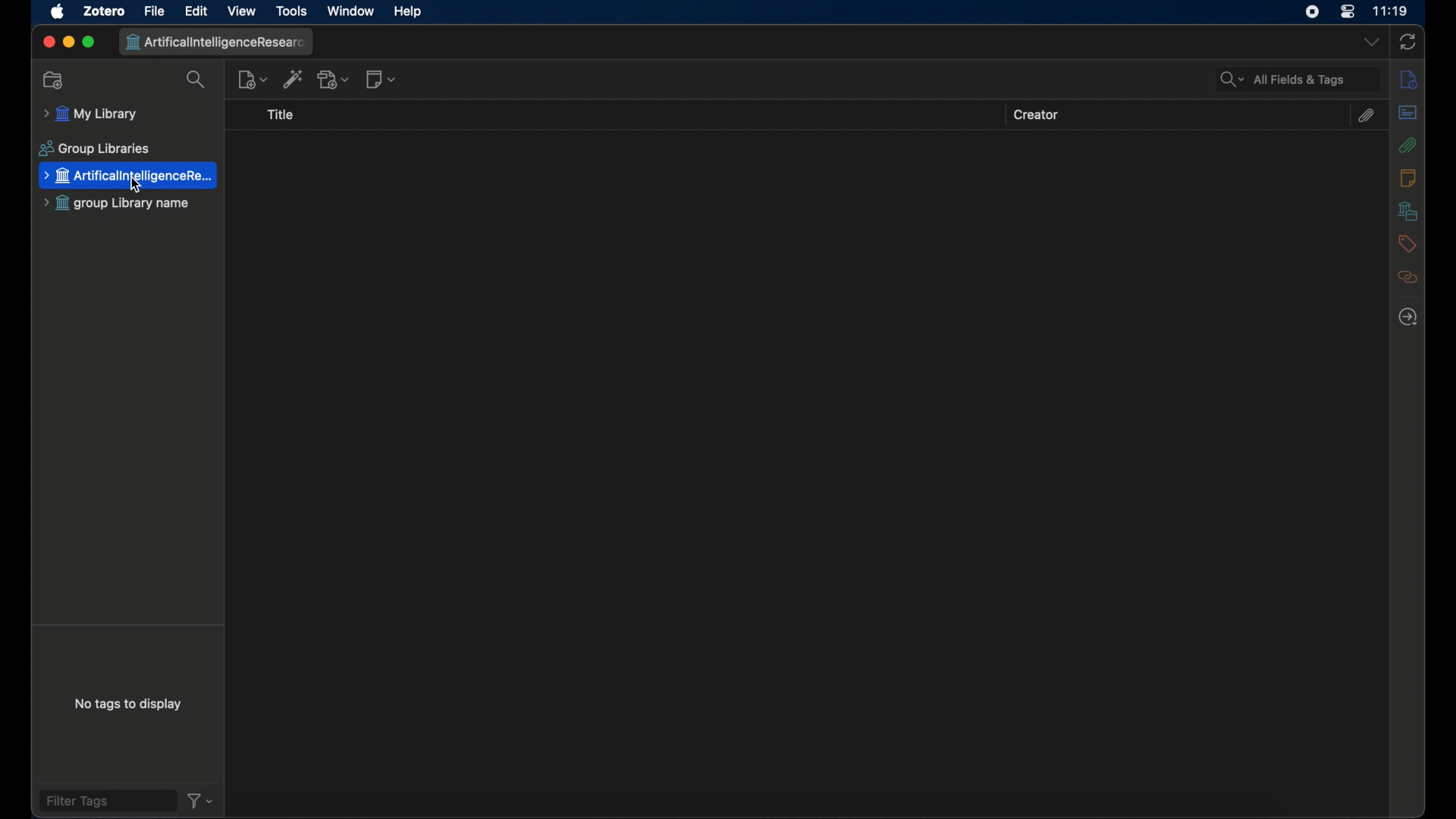 Image resolution: width=1456 pixels, height=819 pixels. I want to click on filter dropdown, so click(200, 801).